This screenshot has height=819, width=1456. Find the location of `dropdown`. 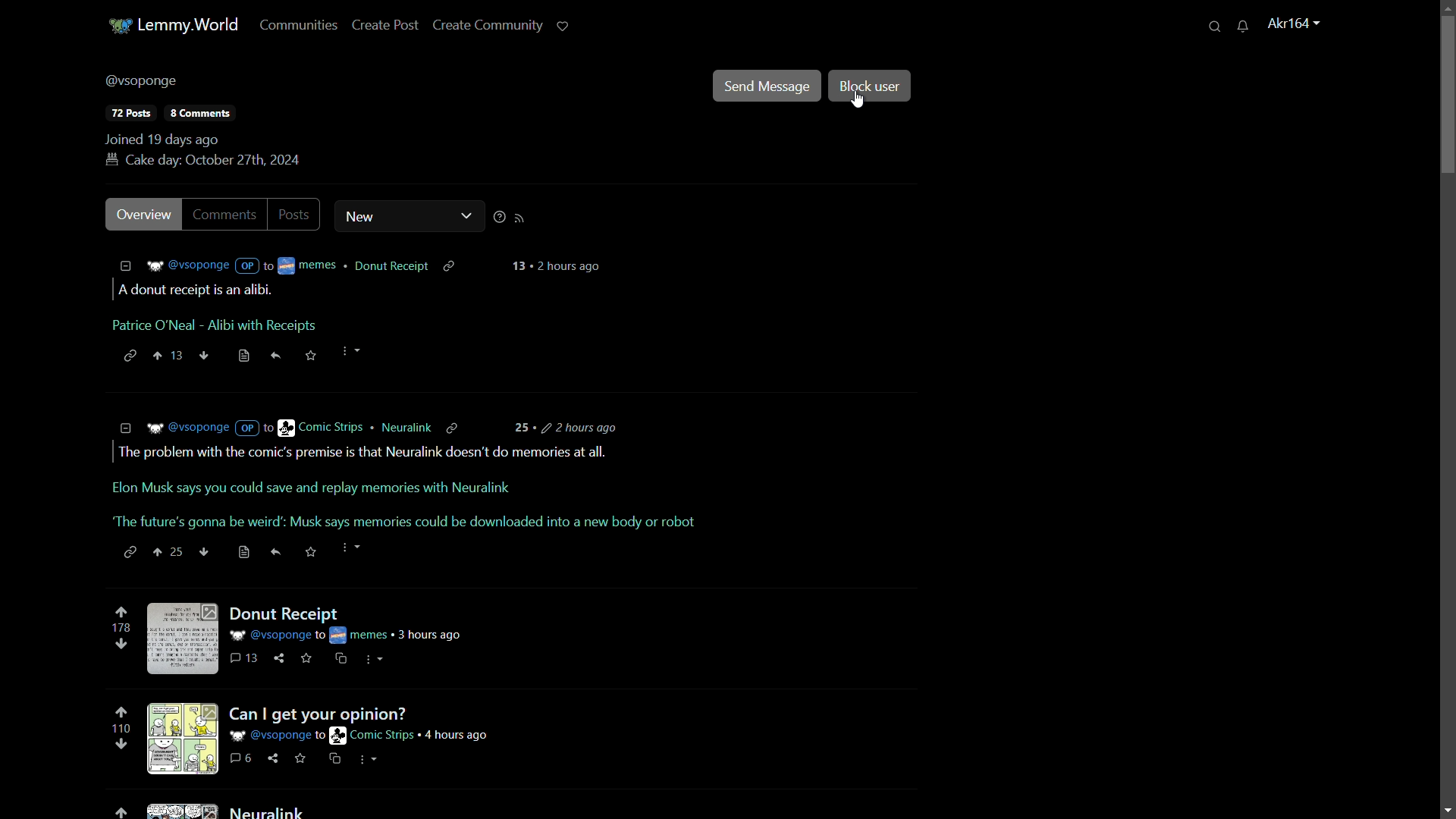

dropdown is located at coordinates (467, 216).